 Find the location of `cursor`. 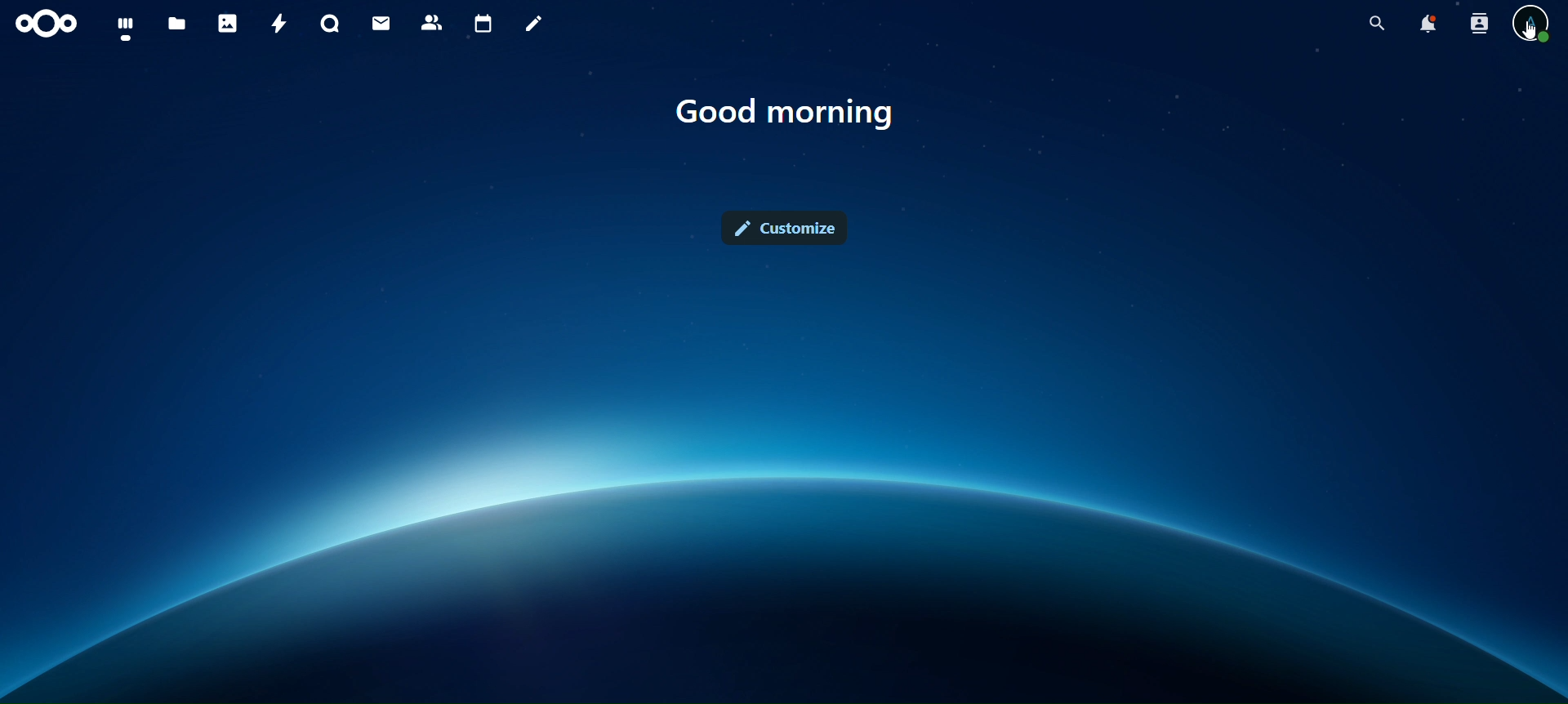

cursor is located at coordinates (1533, 36).